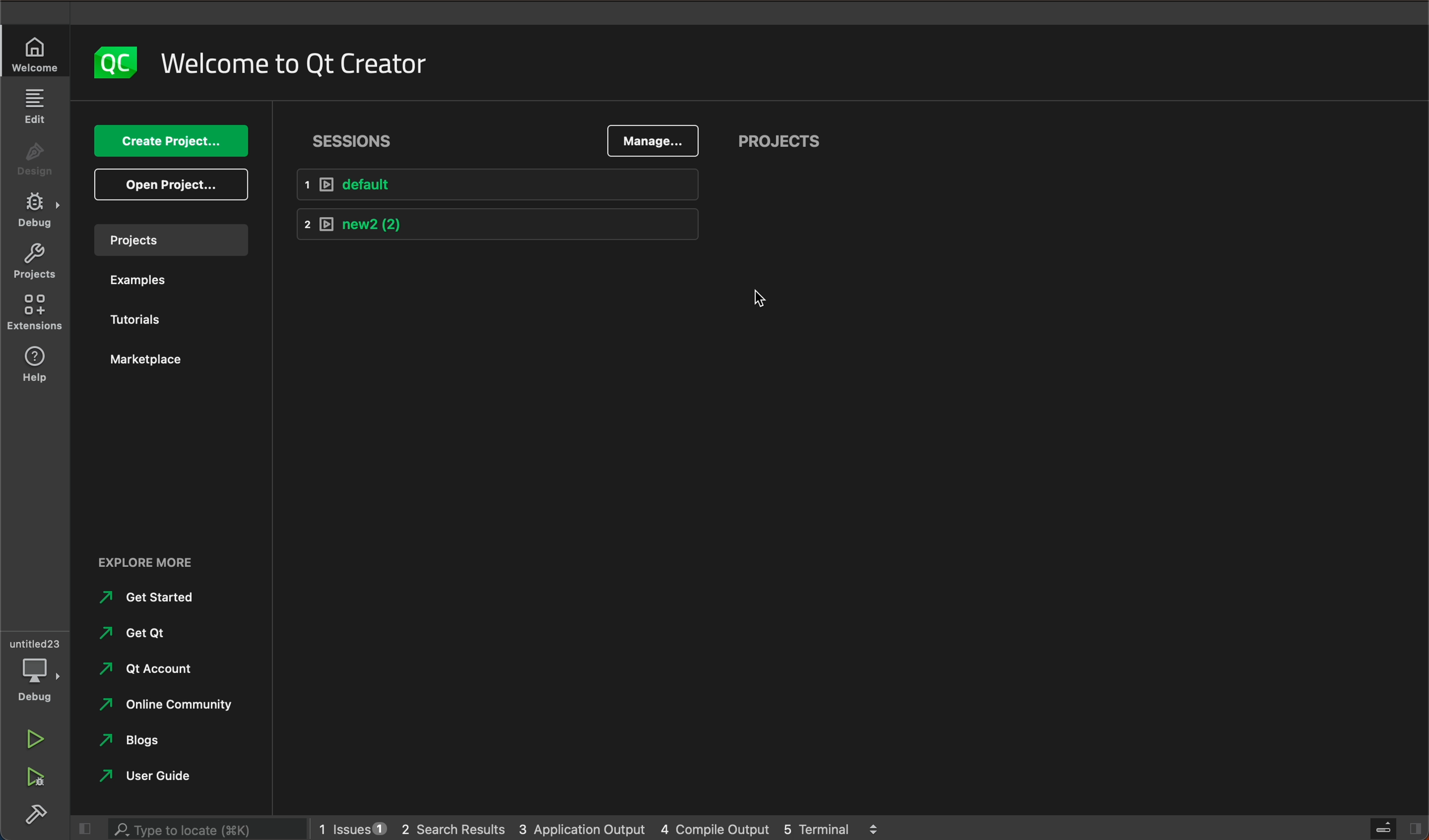  Describe the element at coordinates (602, 828) in the screenshot. I see `logs` at that location.